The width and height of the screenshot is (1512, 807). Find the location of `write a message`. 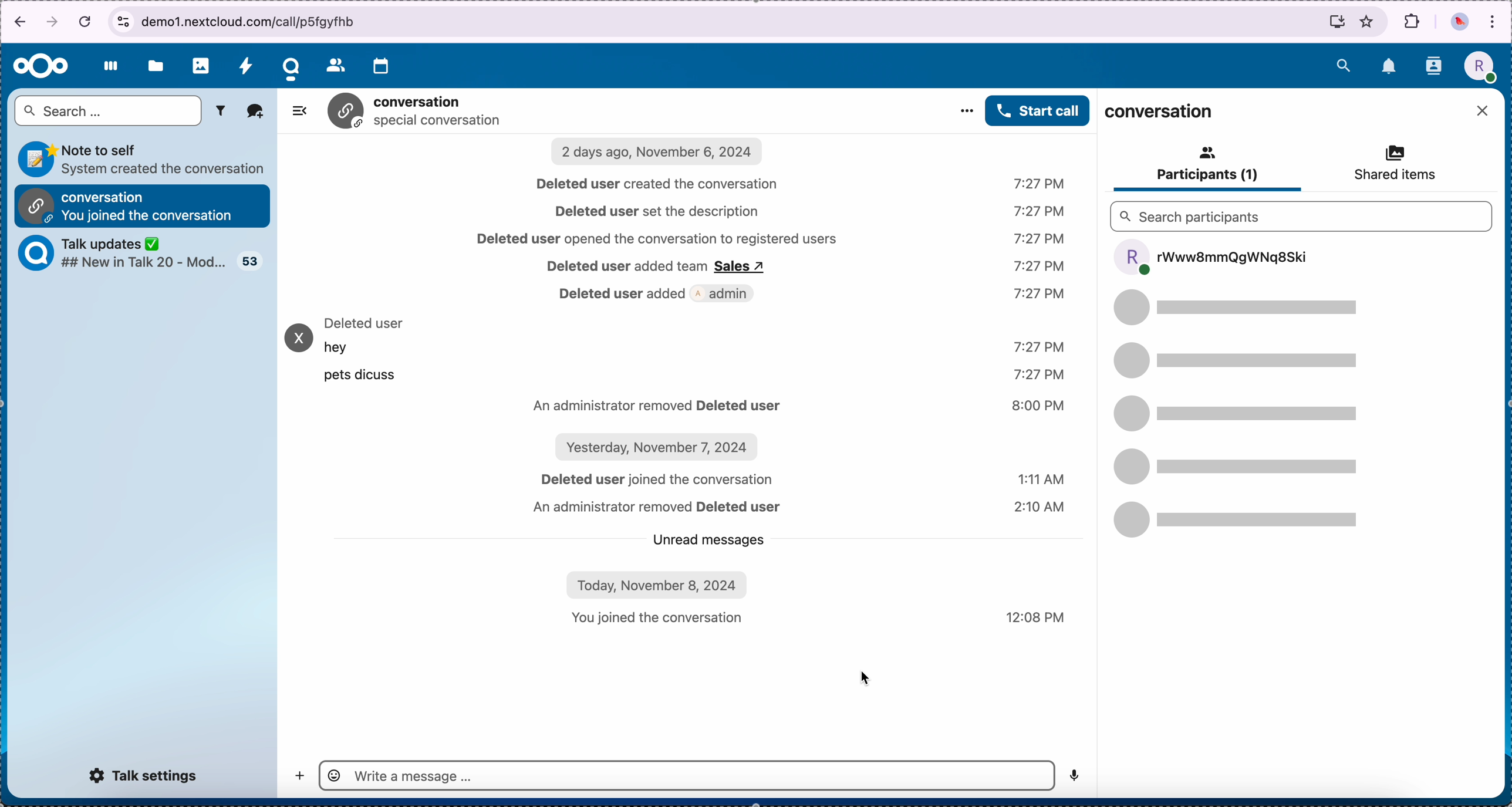

write a message is located at coordinates (687, 775).